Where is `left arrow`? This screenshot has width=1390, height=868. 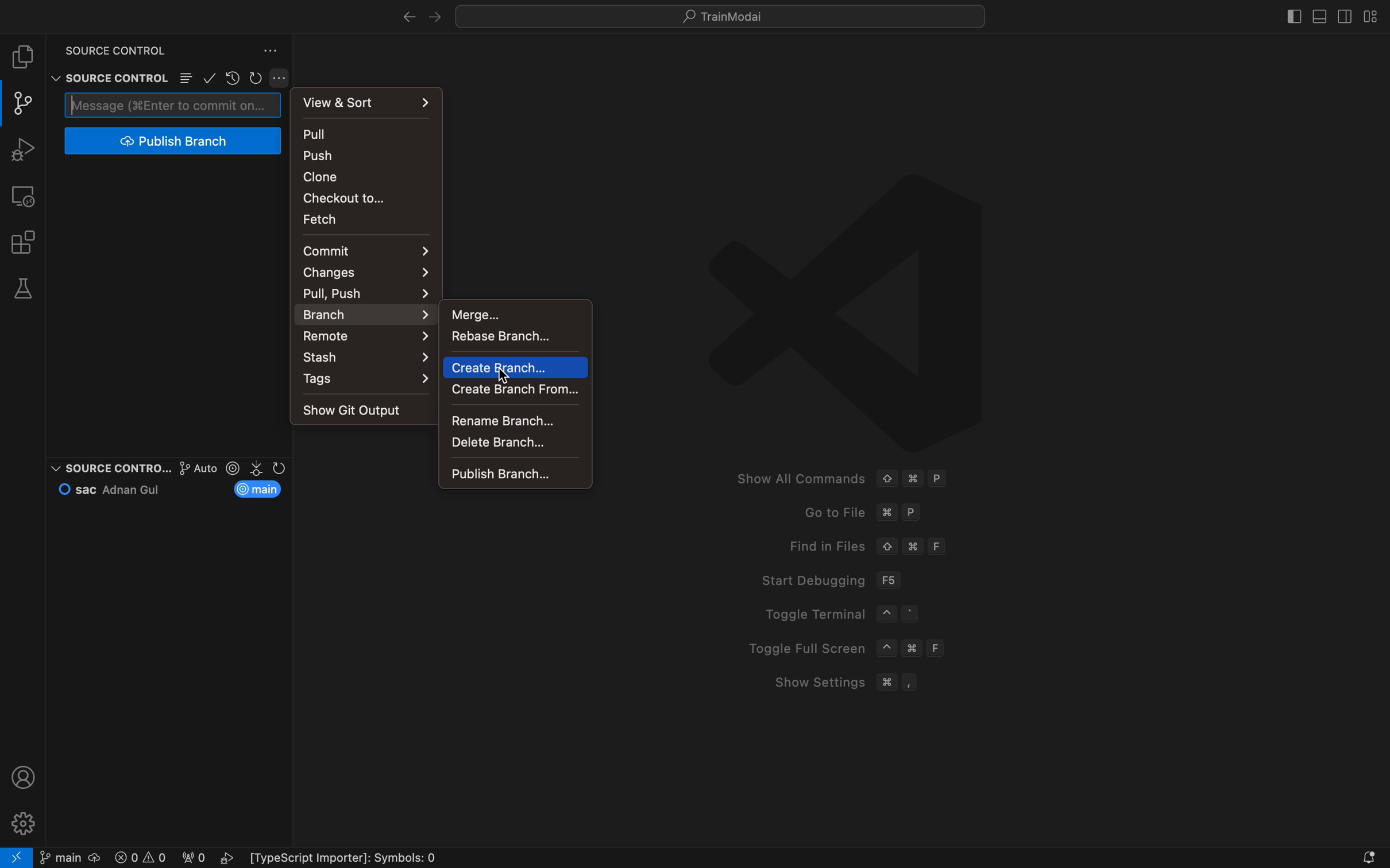
left arrow is located at coordinates (434, 17).